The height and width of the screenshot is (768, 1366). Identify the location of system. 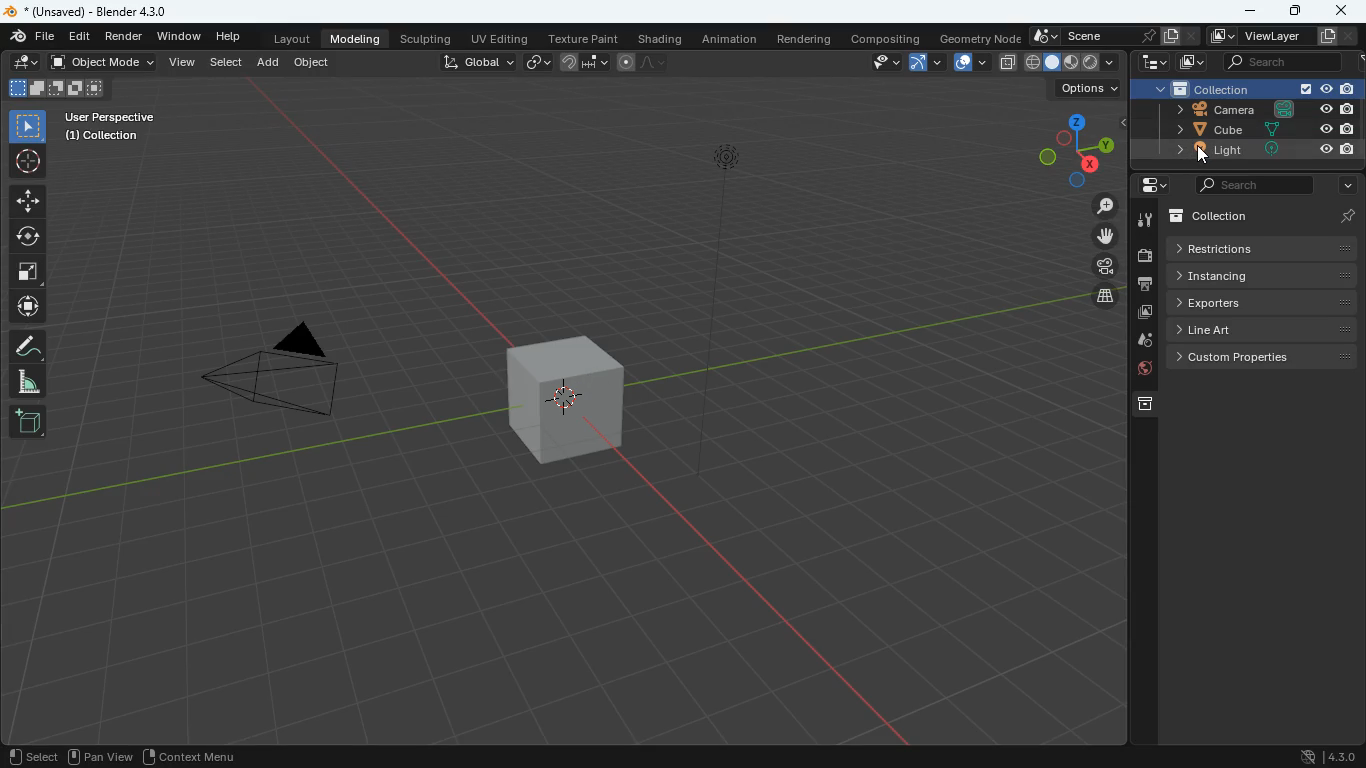
(1153, 64).